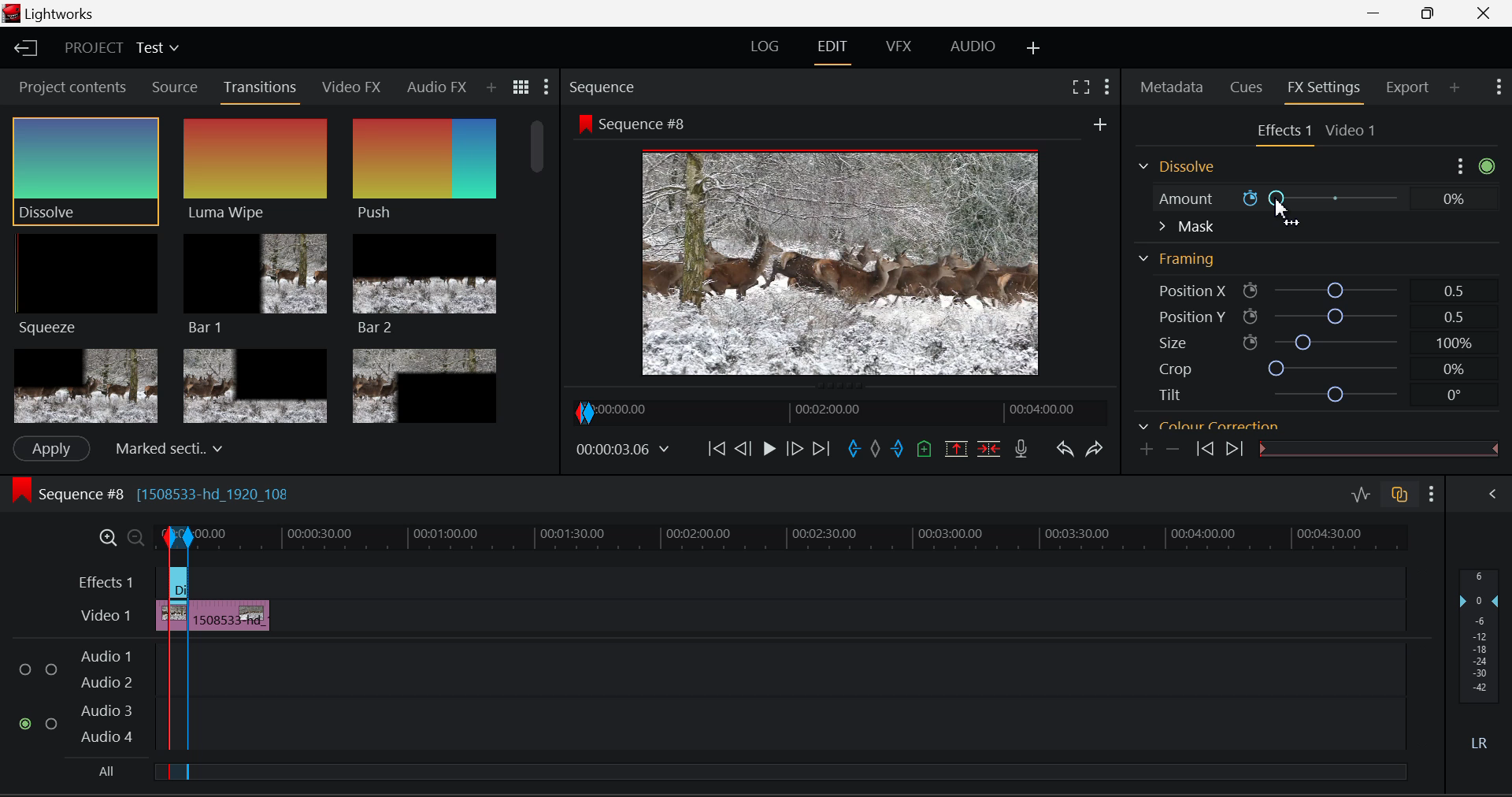 The height and width of the screenshot is (797, 1512). I want to click on Luma Wipe, so click(256, 170).